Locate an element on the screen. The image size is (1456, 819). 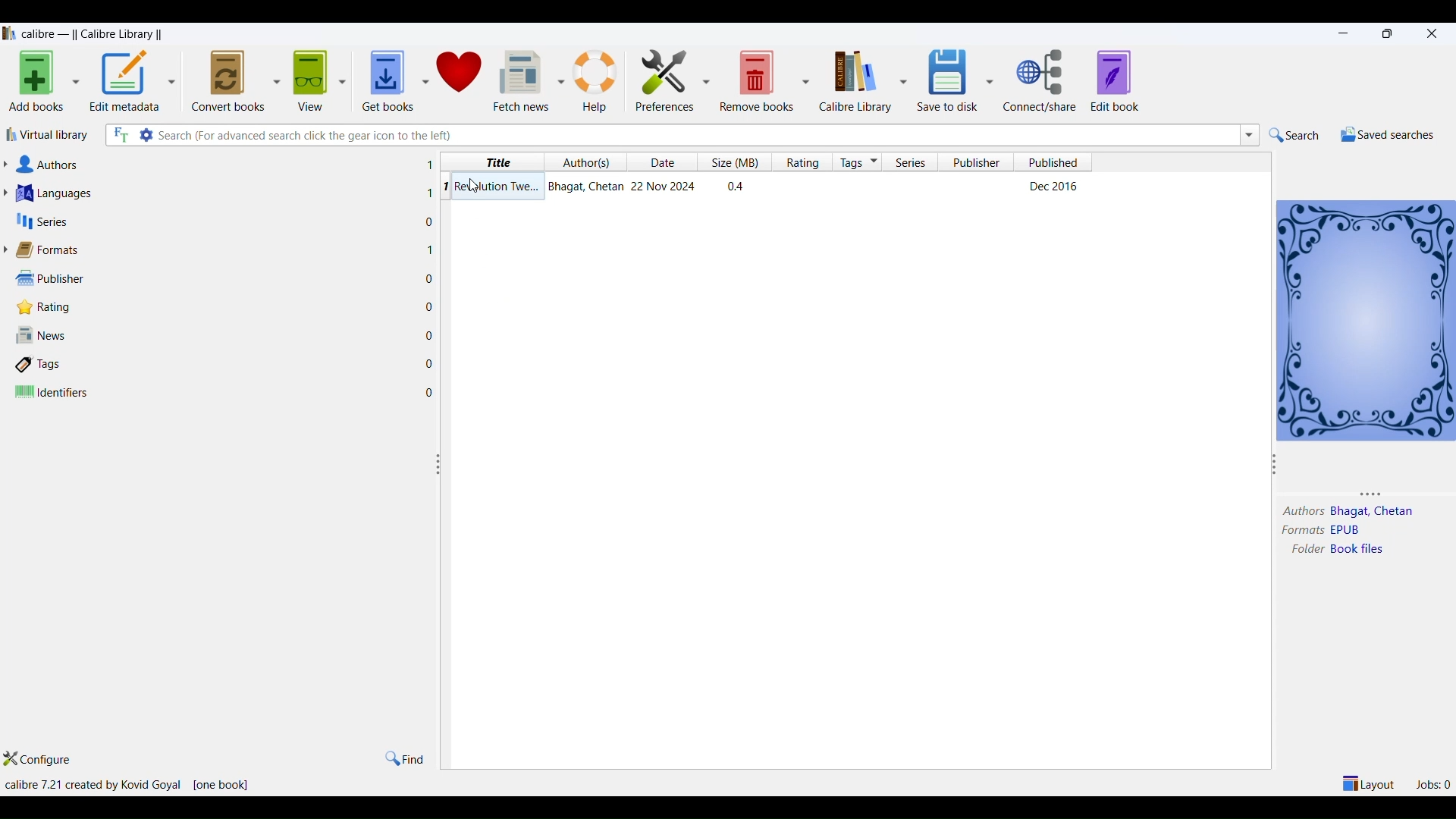
minimize is located at coordinates (1341, 32).